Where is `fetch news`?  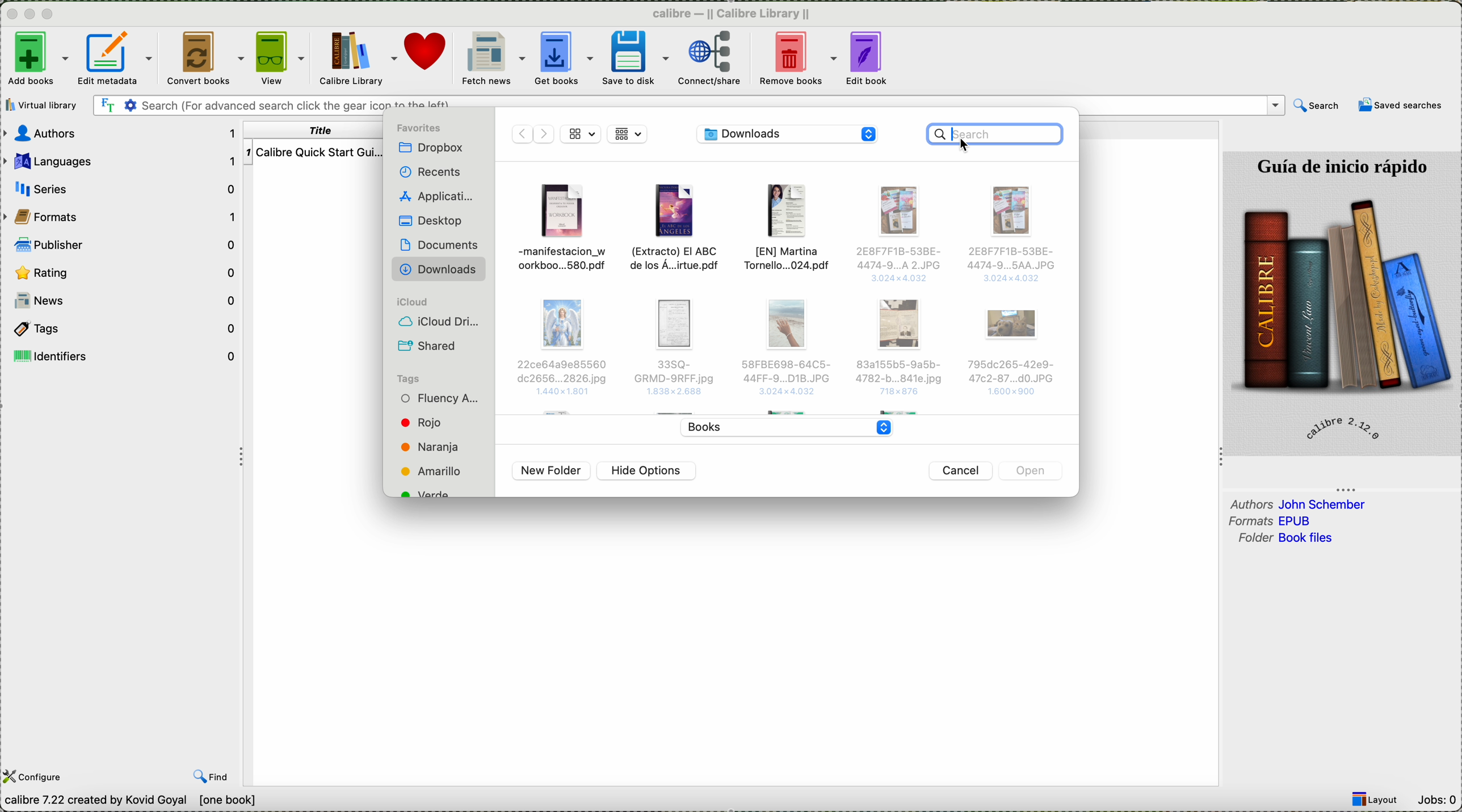
fetch news is located at coordinates (493, 59).